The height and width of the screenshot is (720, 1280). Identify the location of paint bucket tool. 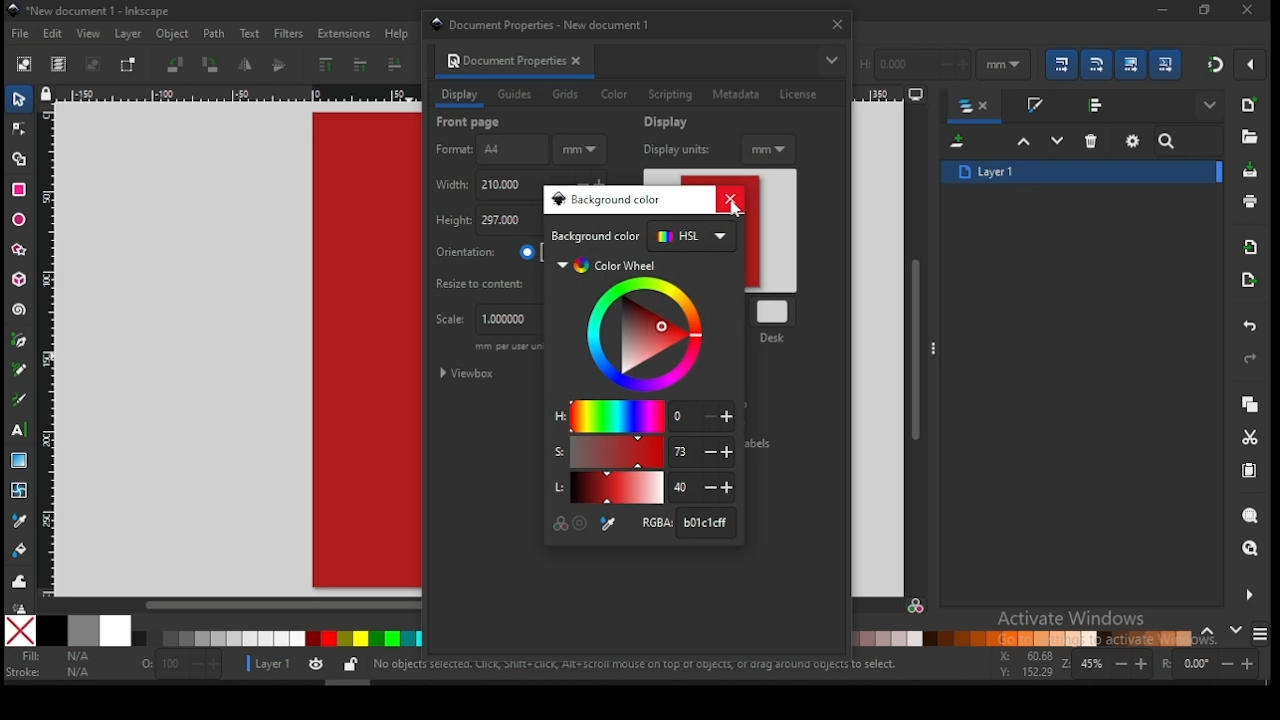
(21, 548).